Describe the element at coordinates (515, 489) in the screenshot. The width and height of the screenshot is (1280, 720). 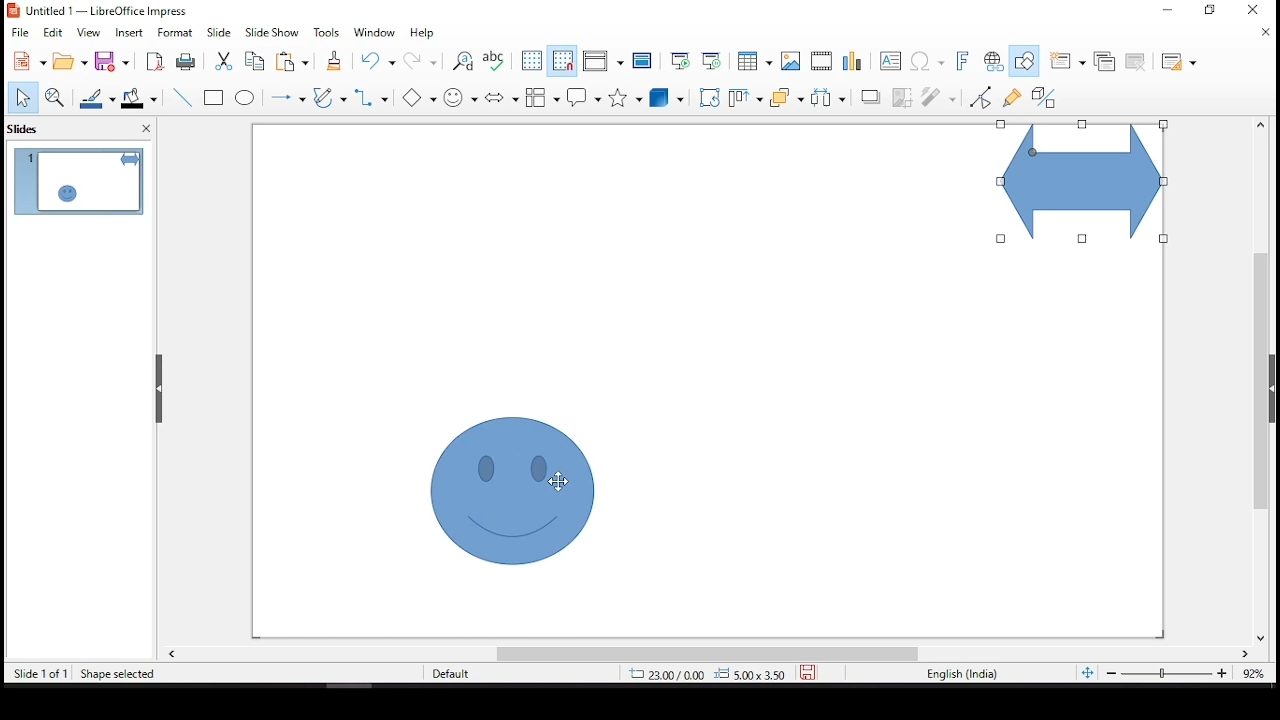
I see `shape` at that location.